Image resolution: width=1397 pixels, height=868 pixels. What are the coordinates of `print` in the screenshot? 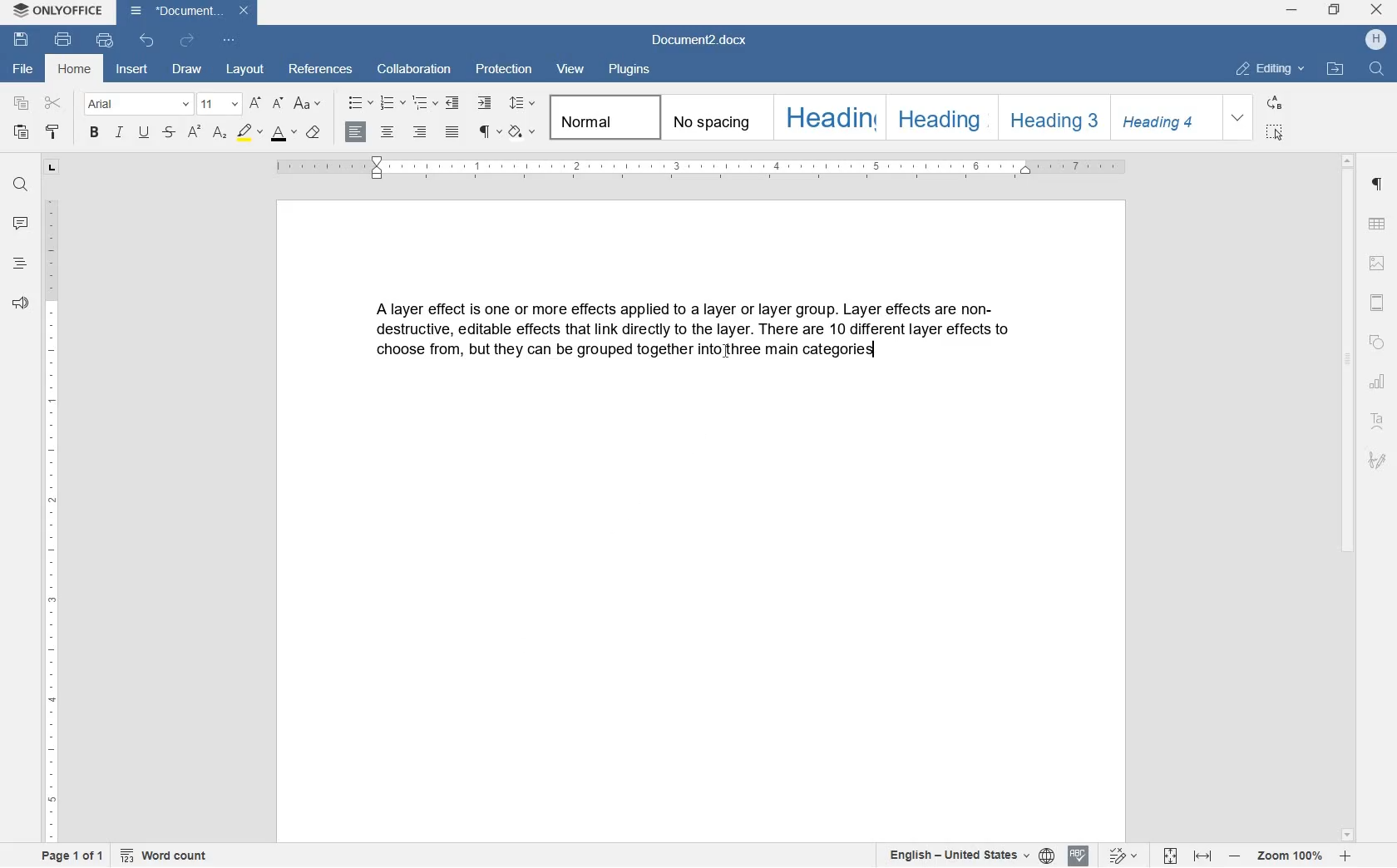 It's located at (65, 41).